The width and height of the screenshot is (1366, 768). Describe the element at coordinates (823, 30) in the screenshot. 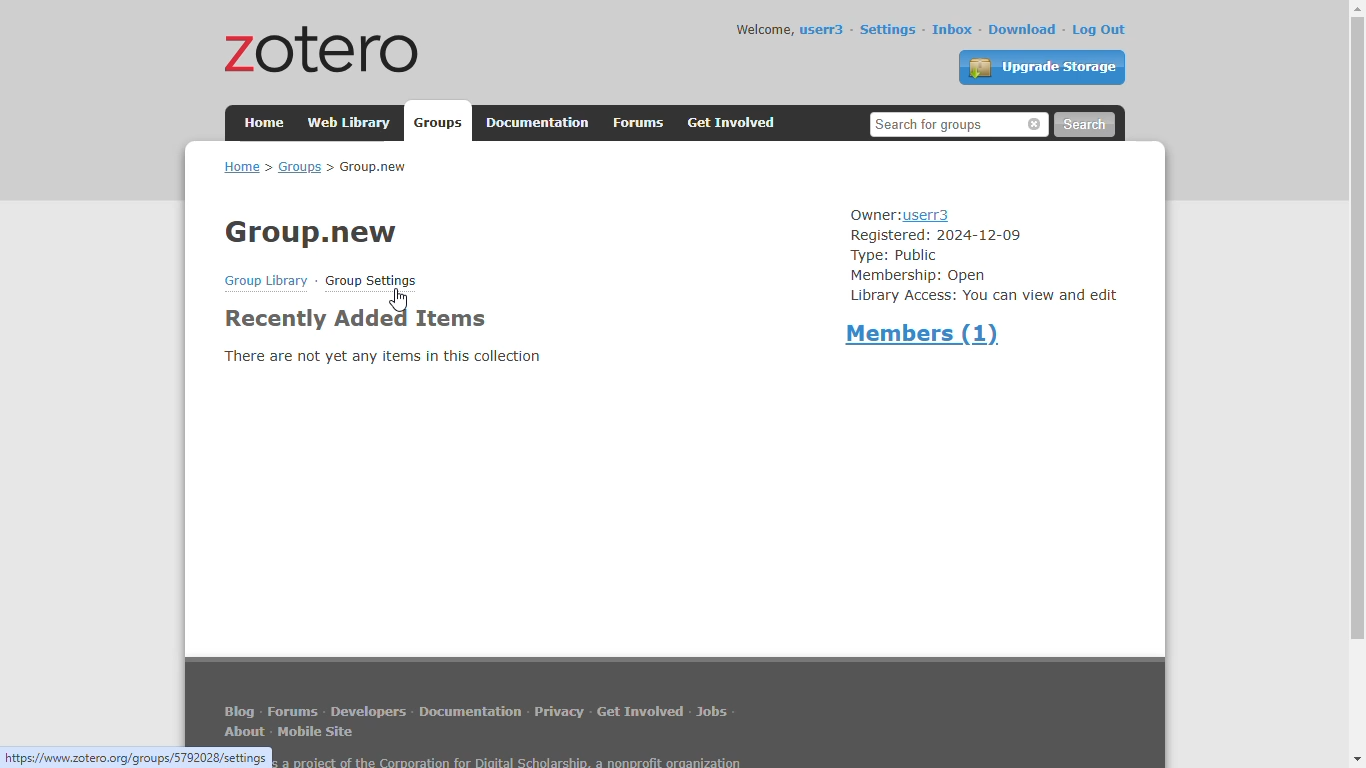

I see `userr3` at that location.